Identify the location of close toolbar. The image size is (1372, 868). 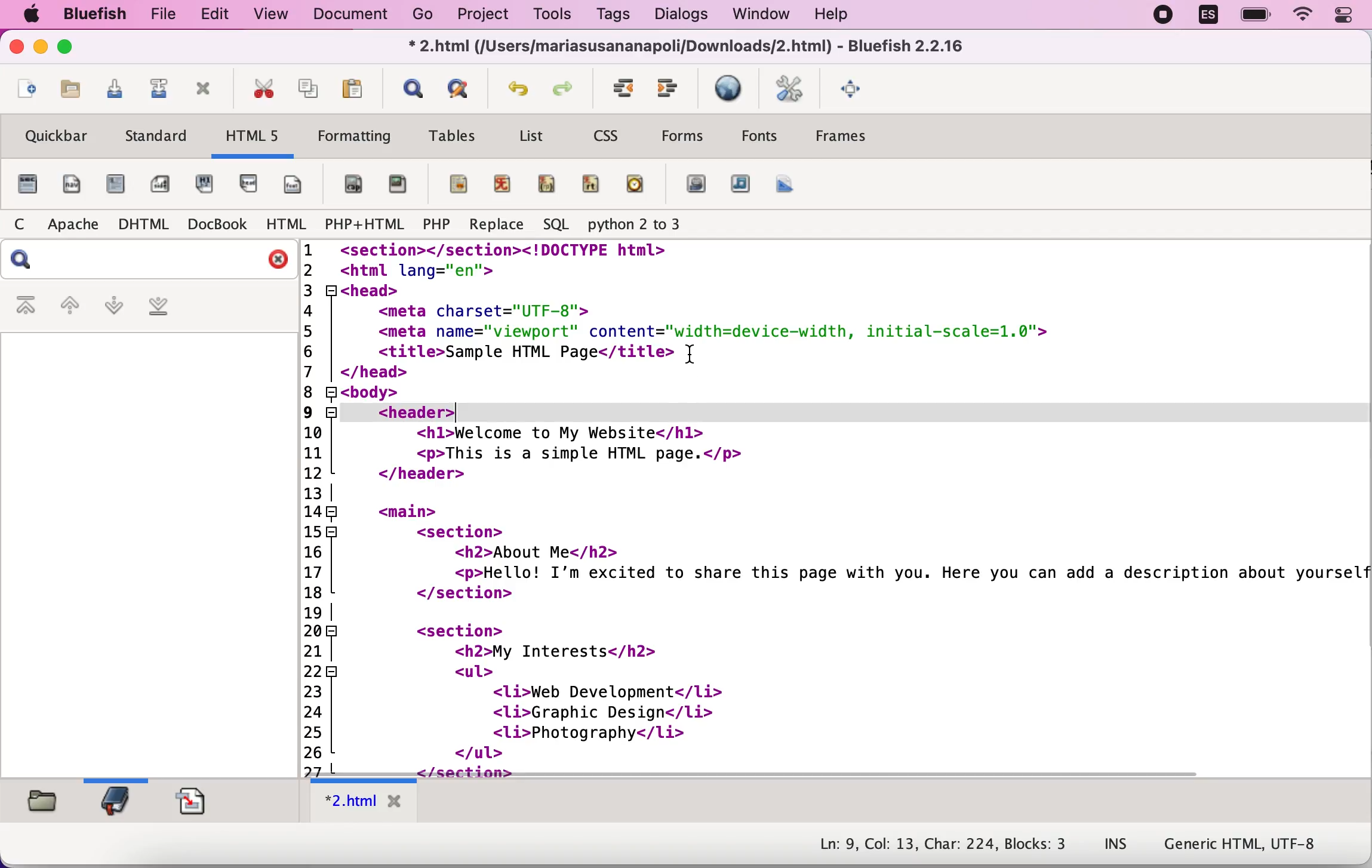
(207, 91).